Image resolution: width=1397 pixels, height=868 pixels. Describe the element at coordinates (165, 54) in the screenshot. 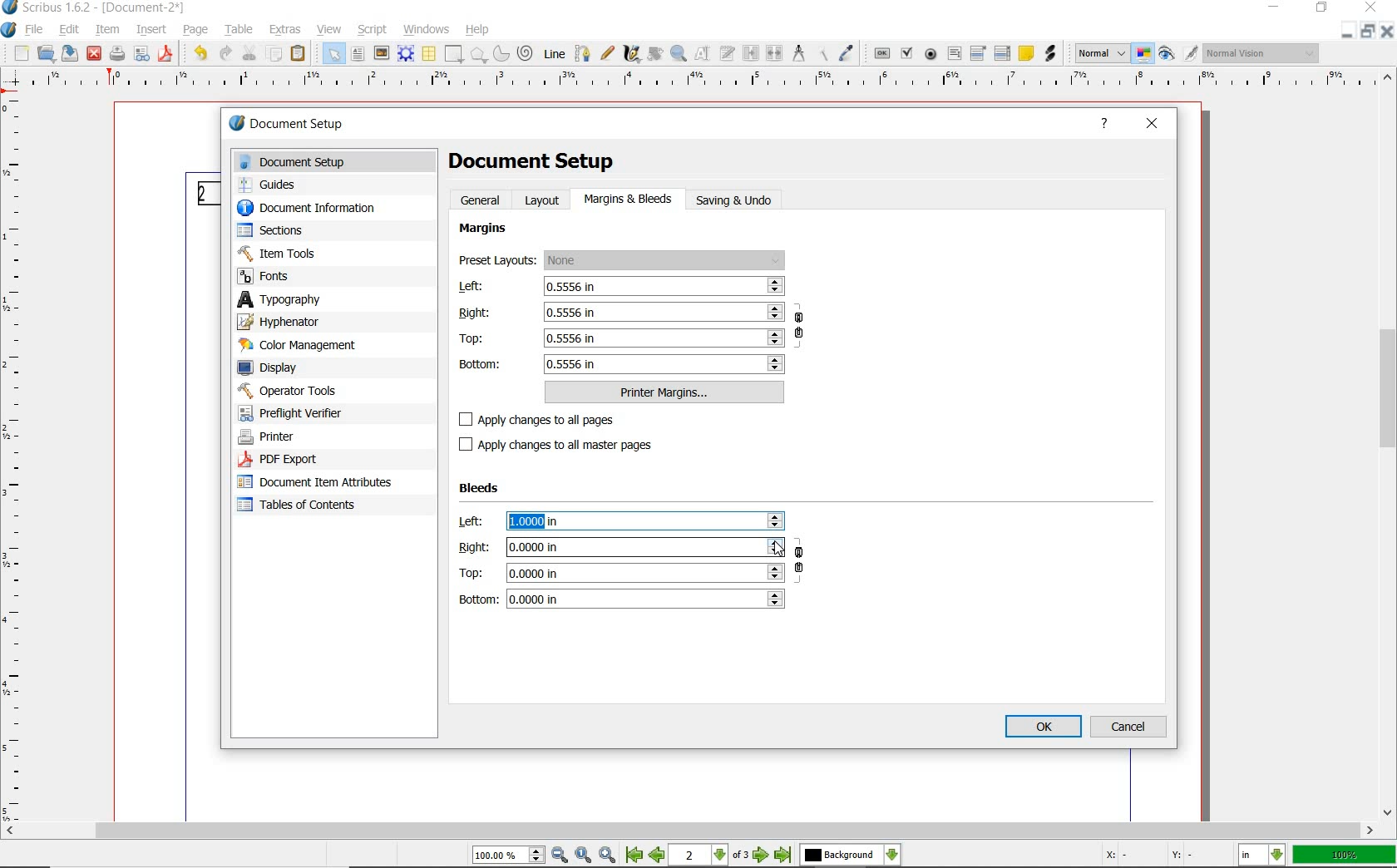

I see `save as pdf` at that location.